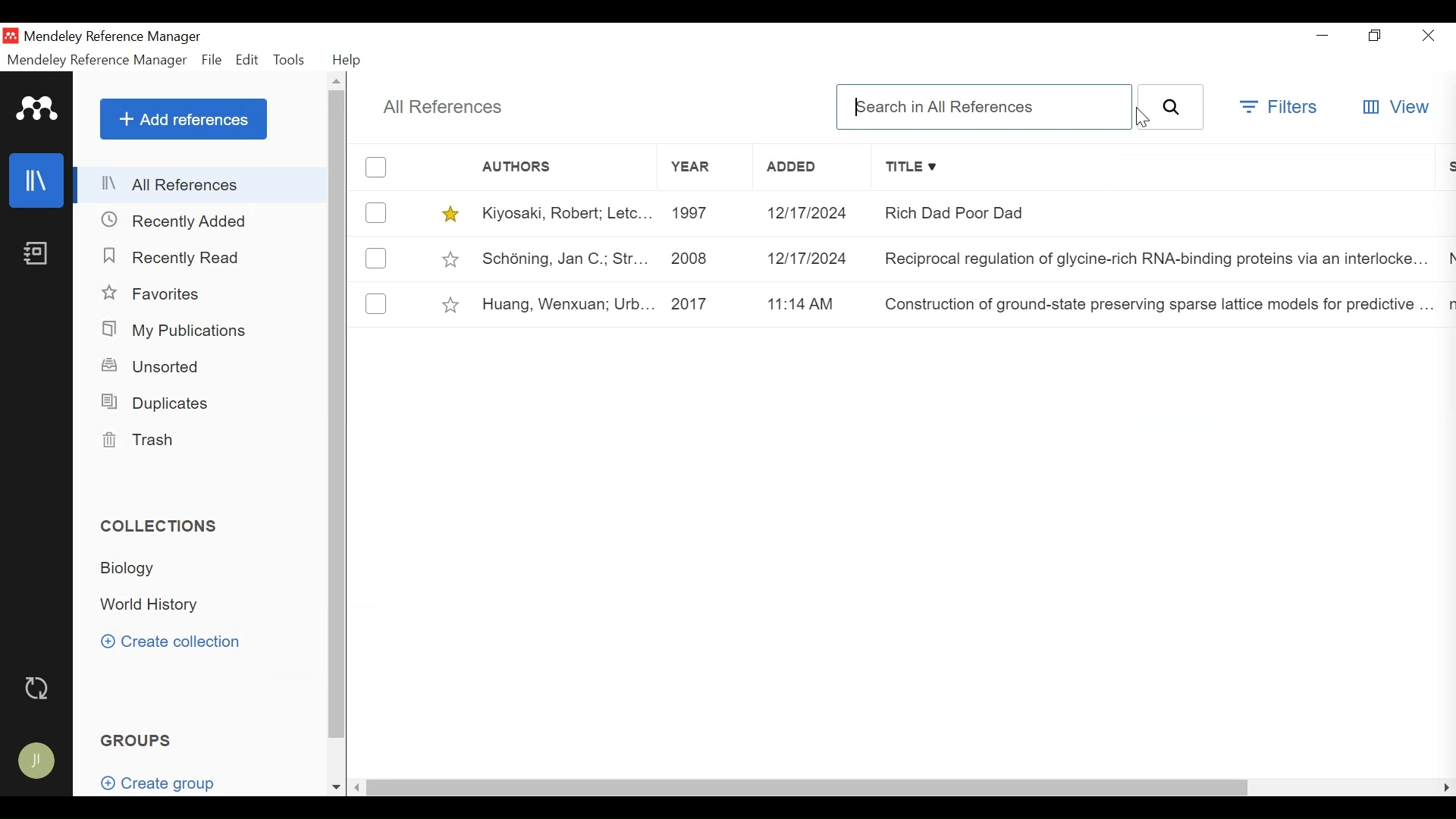 This screenshot has height=819, width=1456. What do you see at coordinates (158, 293) in the screenshot?
I see `Favorites` at bounding box center [158, 293].